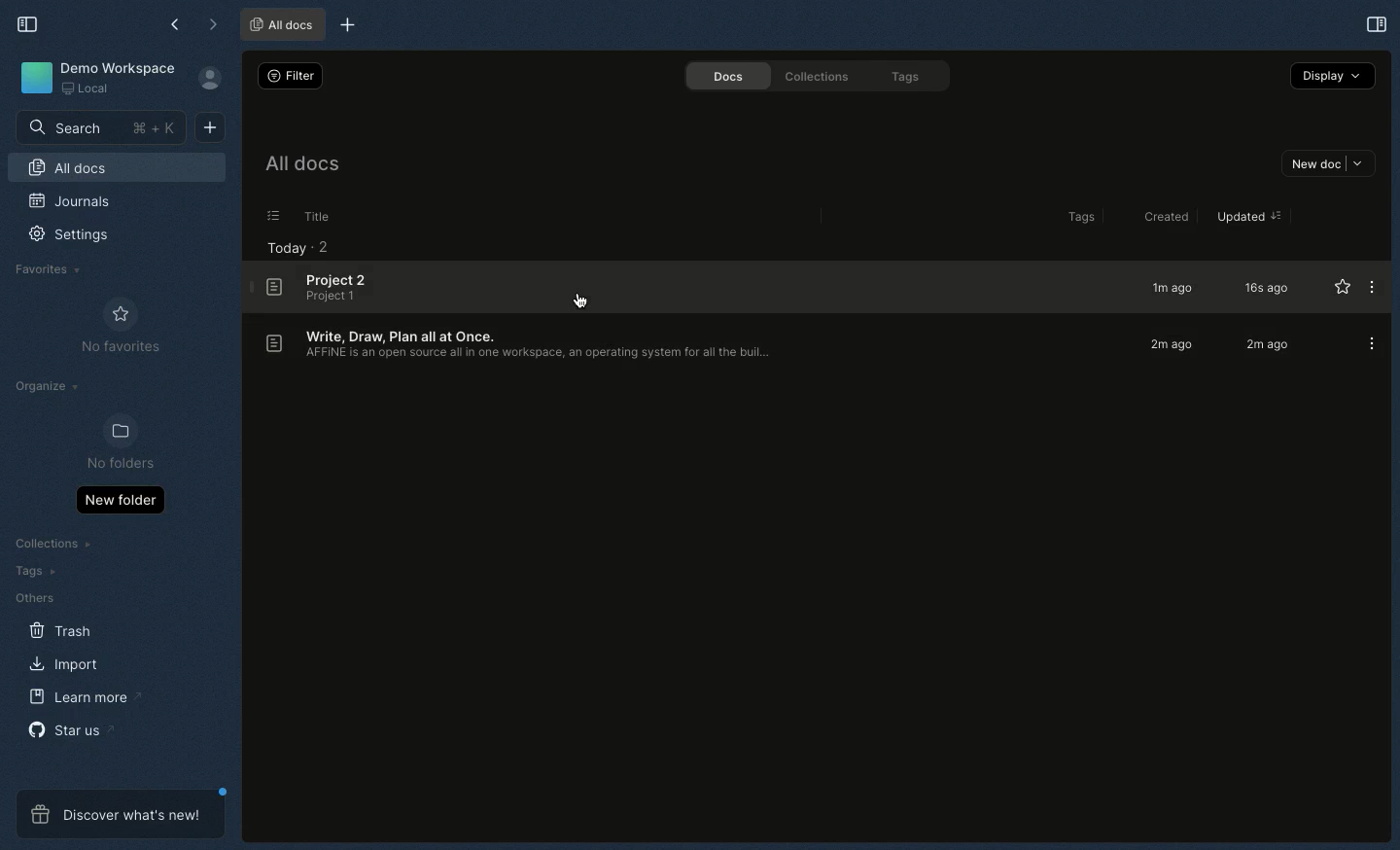 The width and height of the screenshot is (1400, 850). What do you see at coordinates (1246, 221) in the screenshot?
I see `Updated` at bounding box center [1246, 221].